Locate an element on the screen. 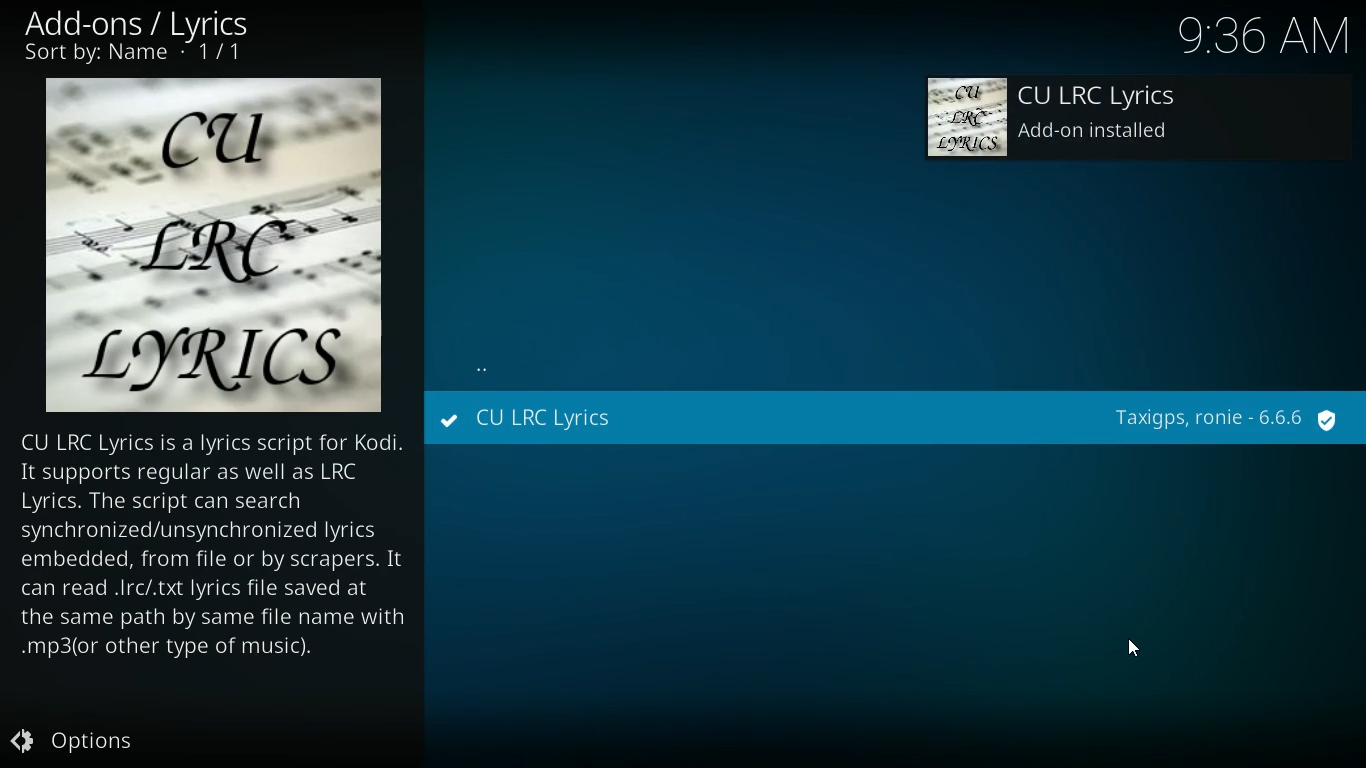 This screenshot has width=1366, height=768. Sort by: Name is located at coordinates (137, 54).